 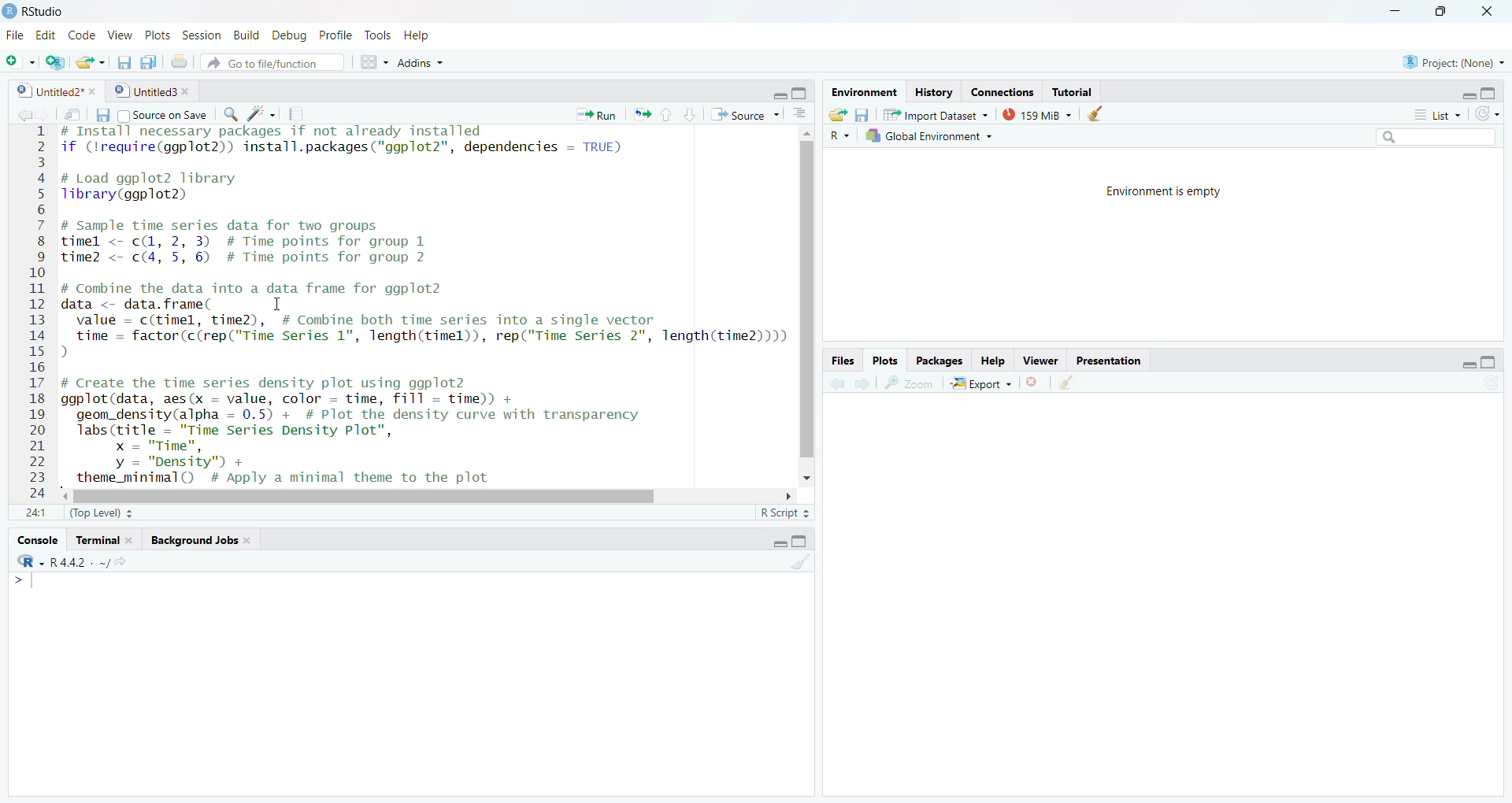 What do you see at coordinates (55, 91) in the screenshot?
I see `Untitled2` at bounding box center [55, 91].